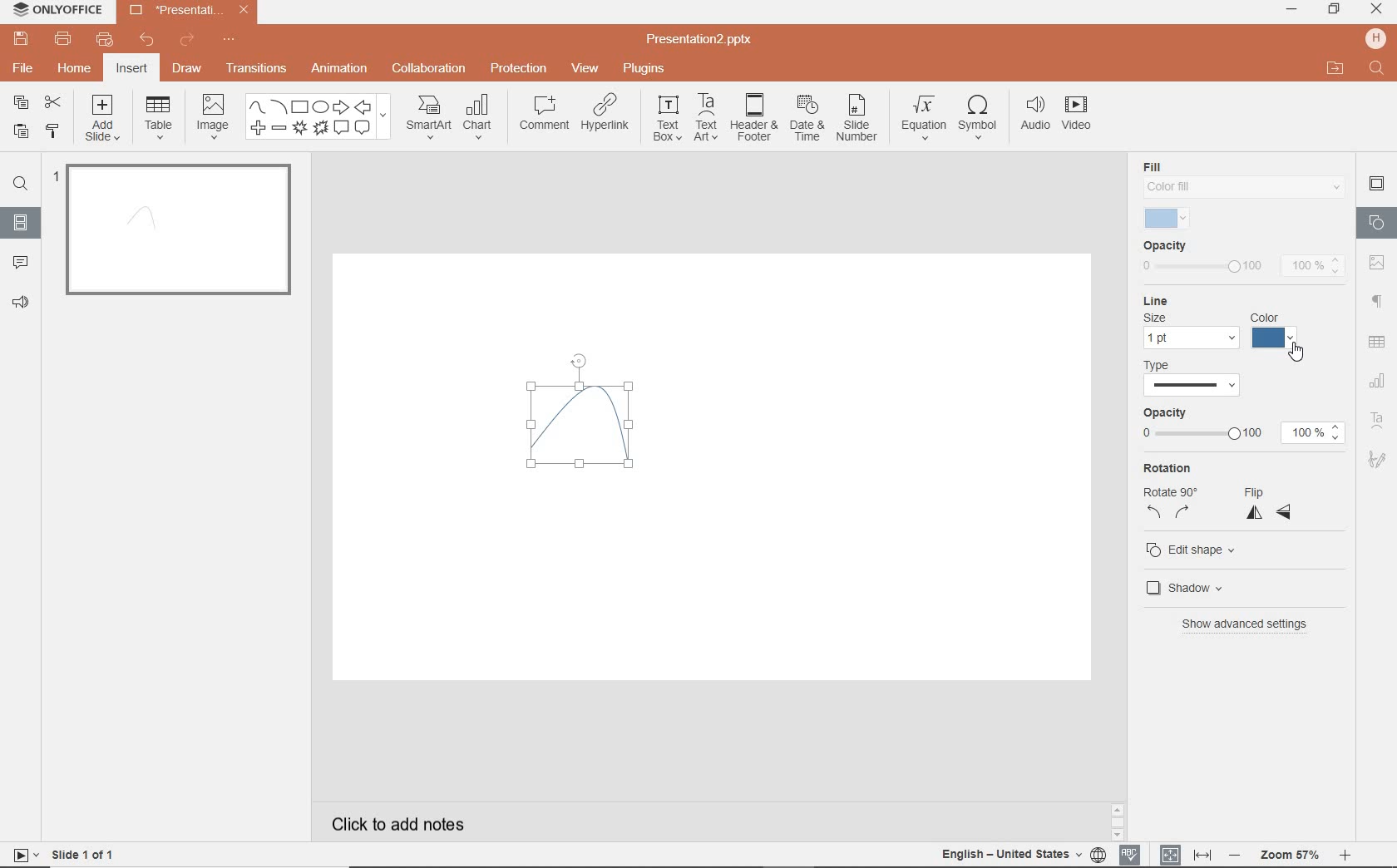 The height and width of the screenshot is (868, 1397). What do you see at coordinates (1335, 69) in the screenshot?
I see `OPEN FILE LOCATION` at bounding box center [1335, 69].